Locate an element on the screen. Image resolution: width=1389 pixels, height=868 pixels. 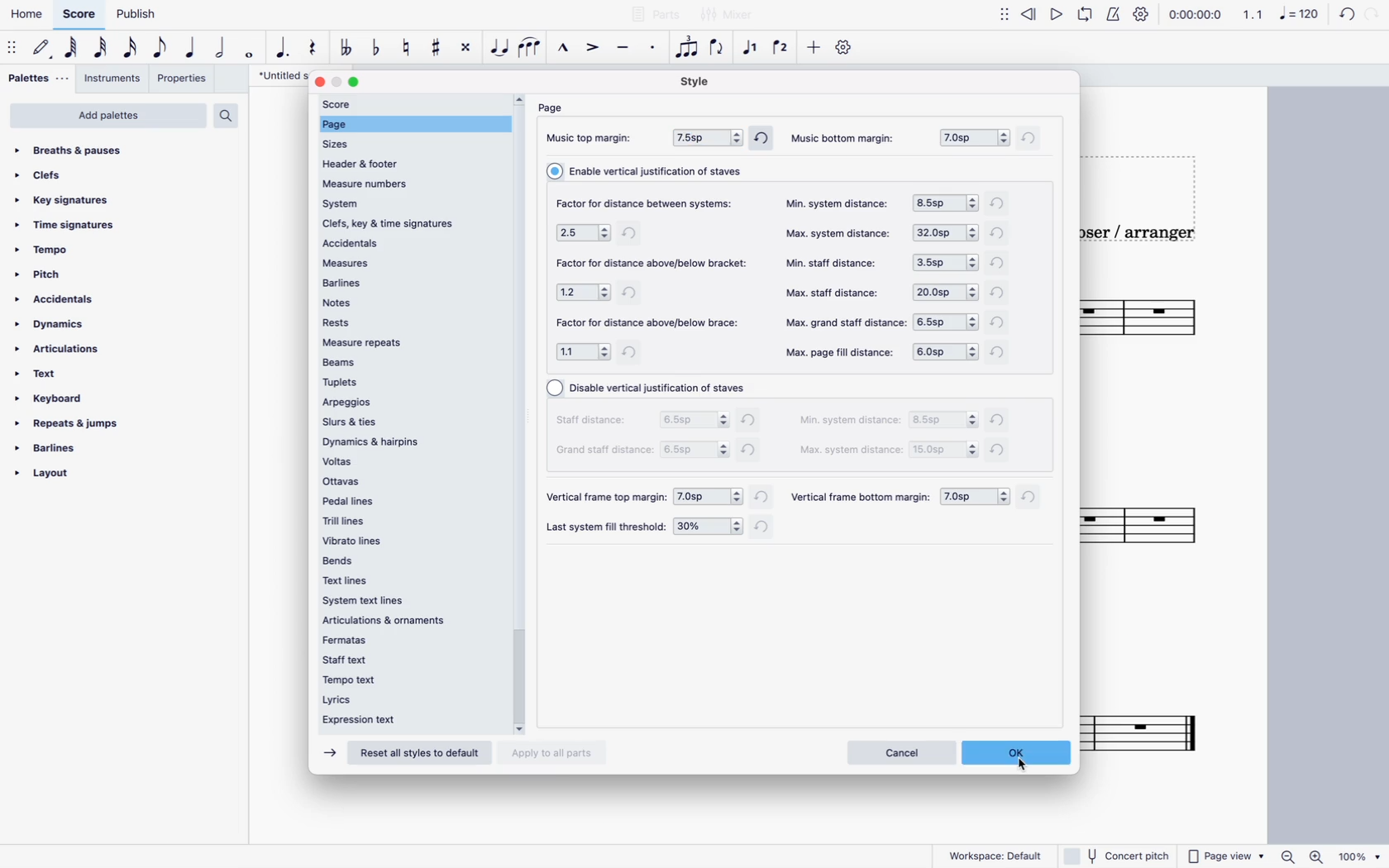
refresh is located at coordinates (1001, 202).